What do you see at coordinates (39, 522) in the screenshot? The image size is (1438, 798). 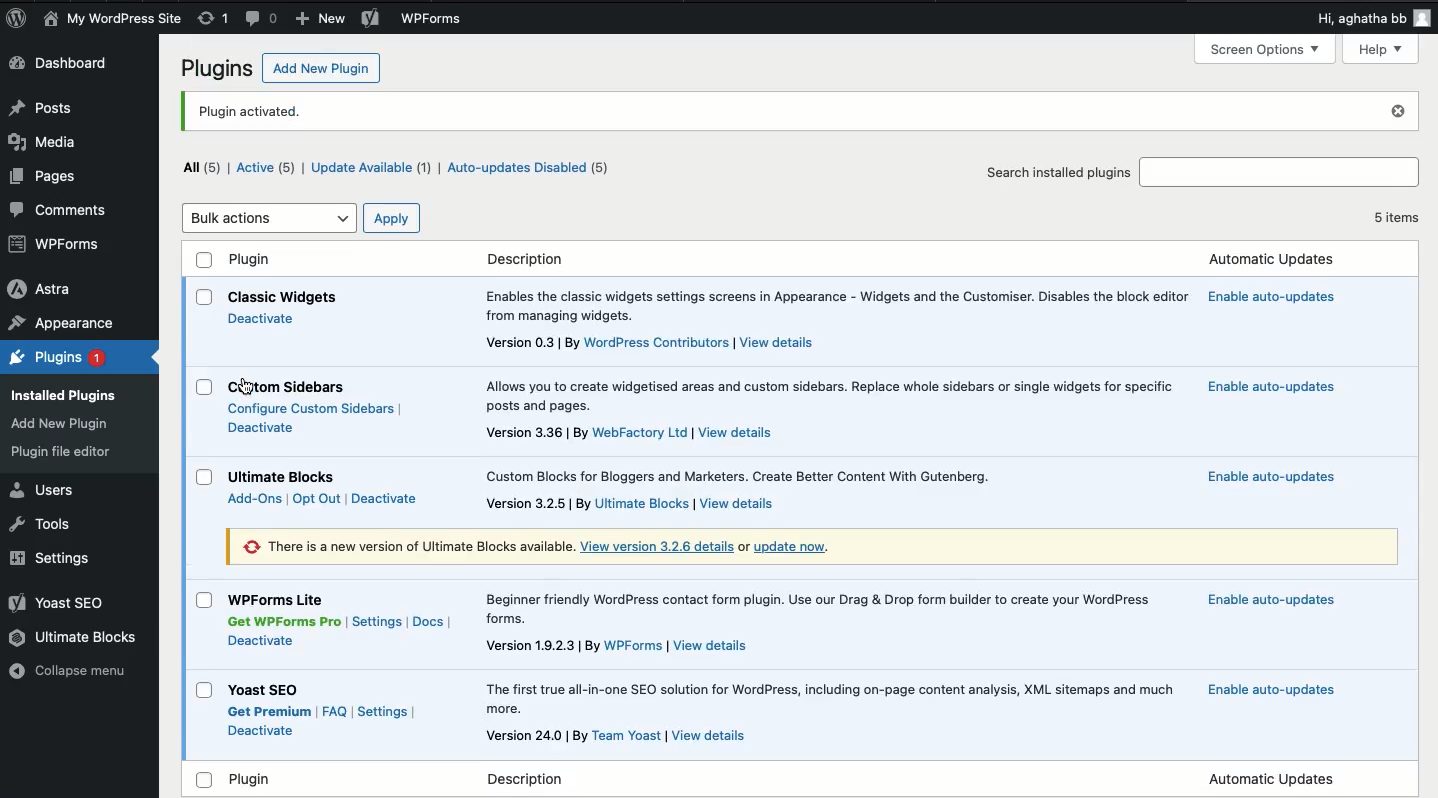 I see `Tools` at bounding box center [39, 522].